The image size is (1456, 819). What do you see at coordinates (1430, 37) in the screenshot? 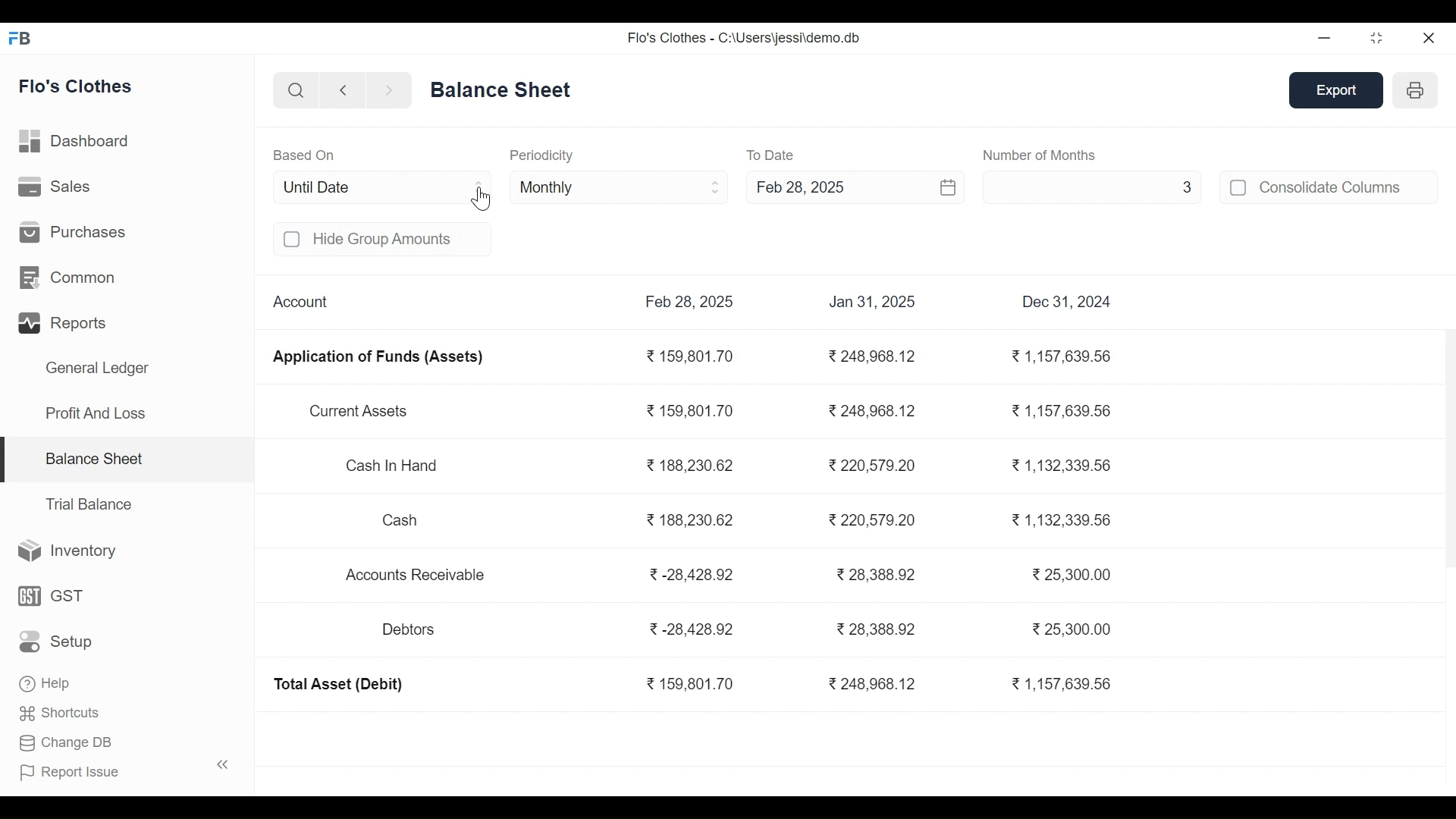
I see `close` at bounding box center [1430, 37].